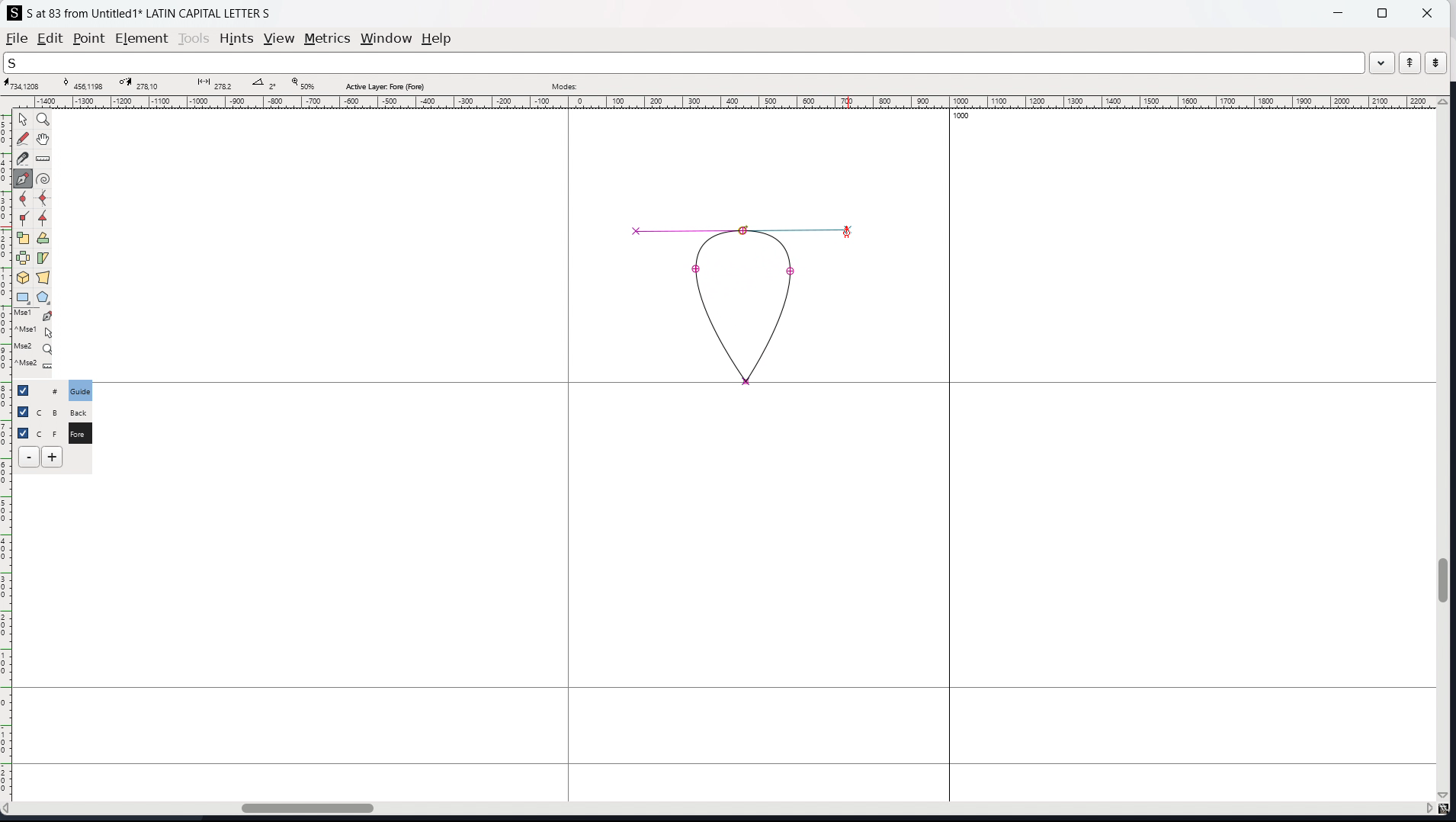 The height and width of the screenshot is (822, 1456). Describe the element at coordinates (23, 159) in the screenshot. I see `cut splines in two` at that location.